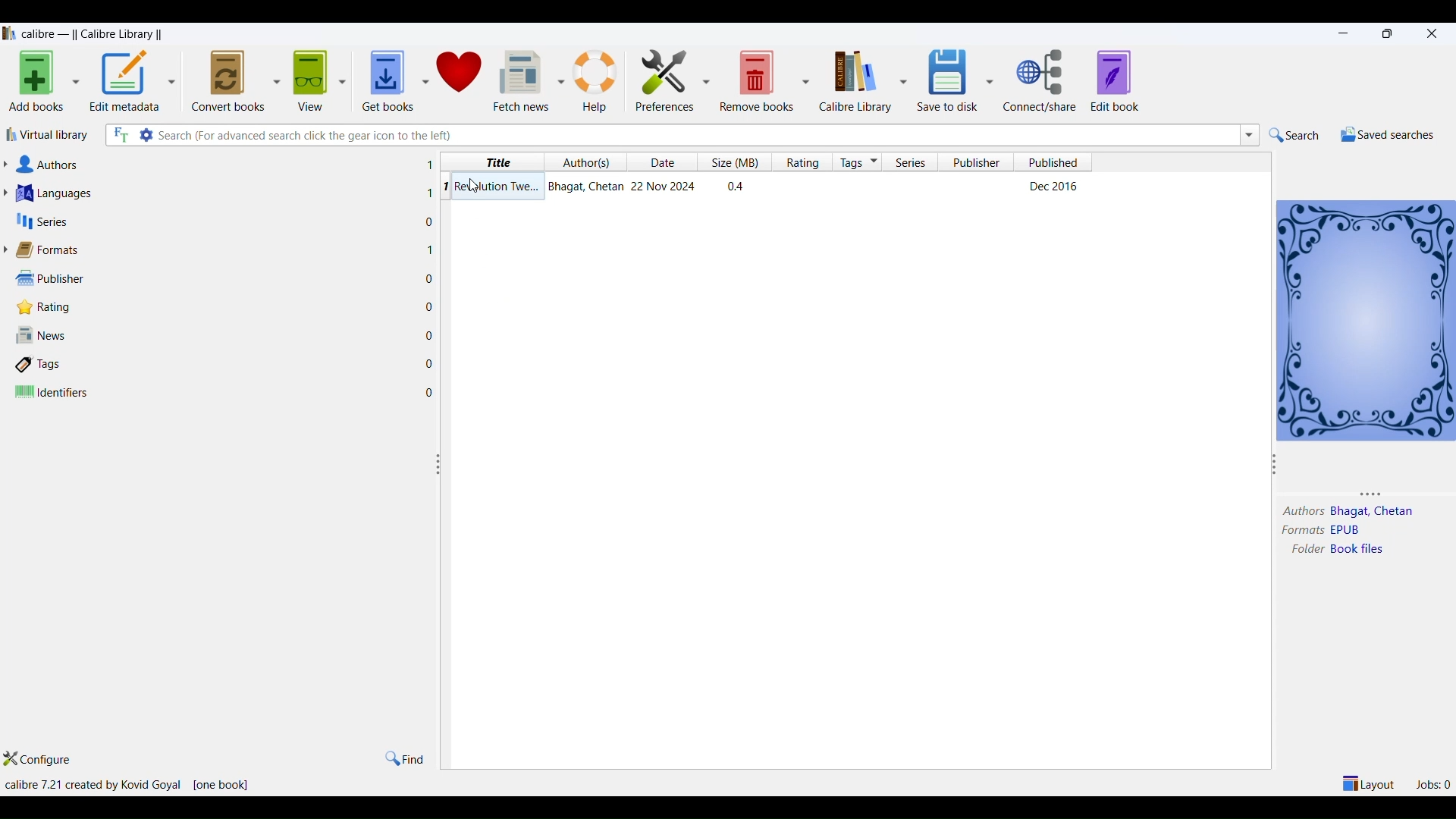 Image resolution: width=1456 pixels, height=819 pixels. What do you see at coordinates (58, 193) in the screenshot?
I see `languages` at bounding box center [58, 193].